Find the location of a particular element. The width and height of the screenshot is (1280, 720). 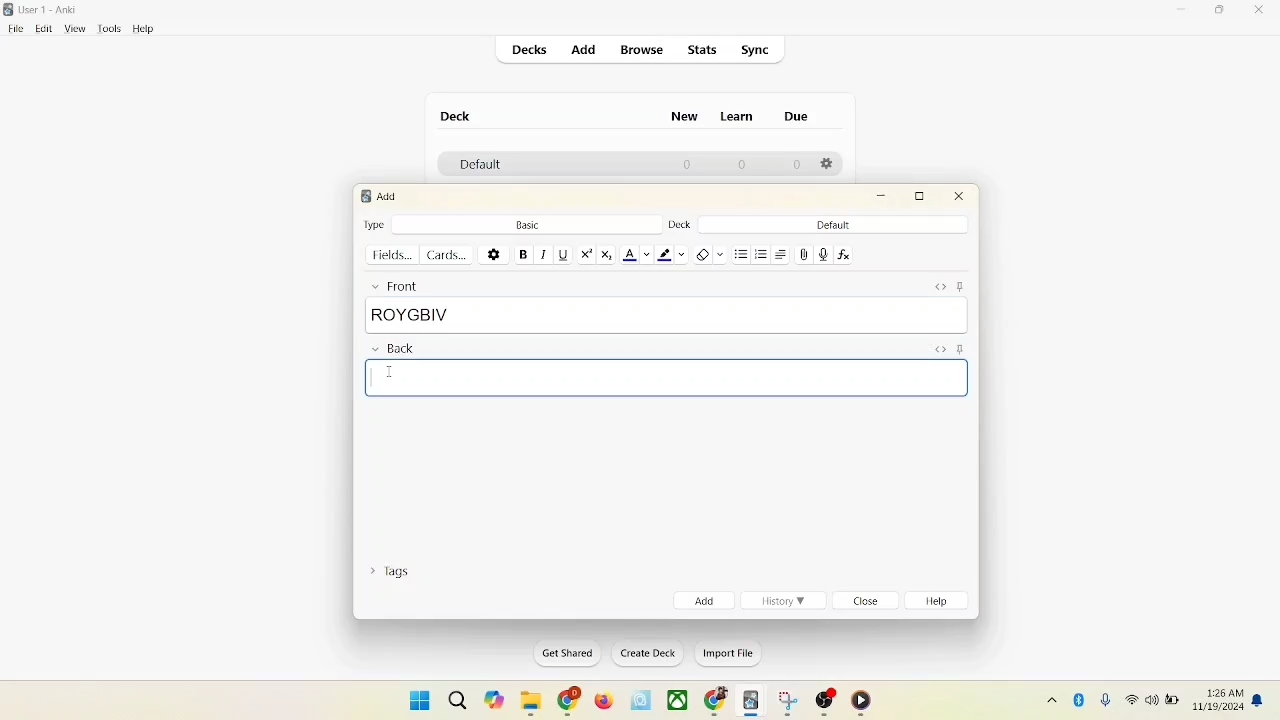

colors is located at coordinates (388, 372).